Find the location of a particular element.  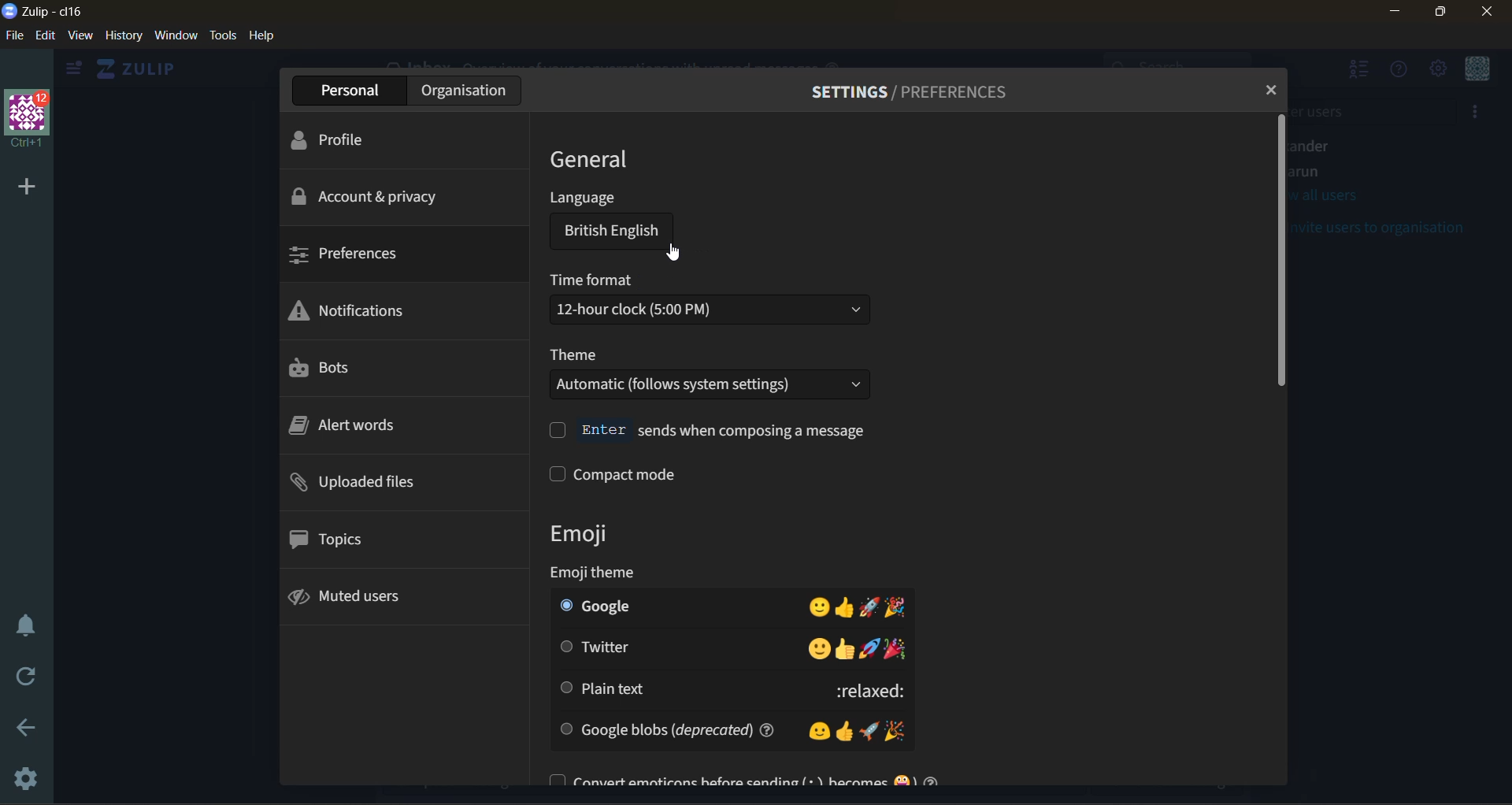

help is located at coordinates (267, 37).